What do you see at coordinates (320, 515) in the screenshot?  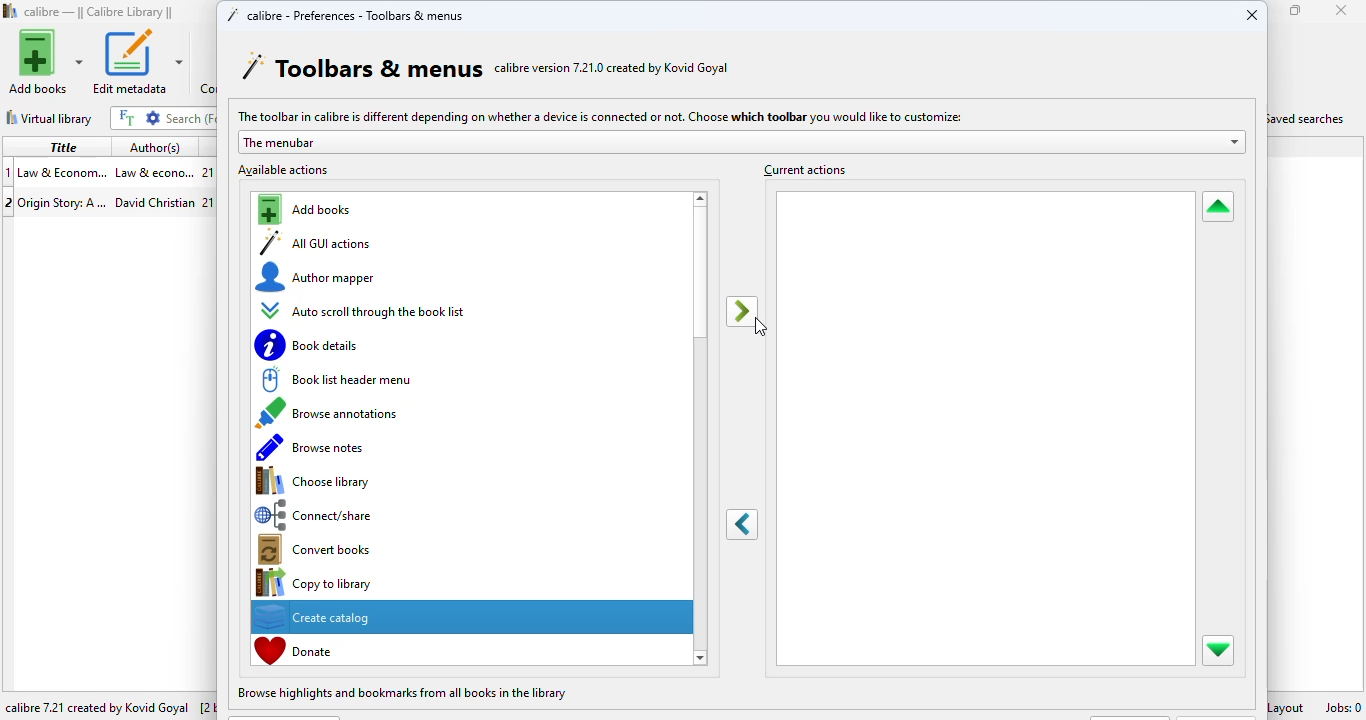 I see `connect/share` at bounding box center [320, 515].